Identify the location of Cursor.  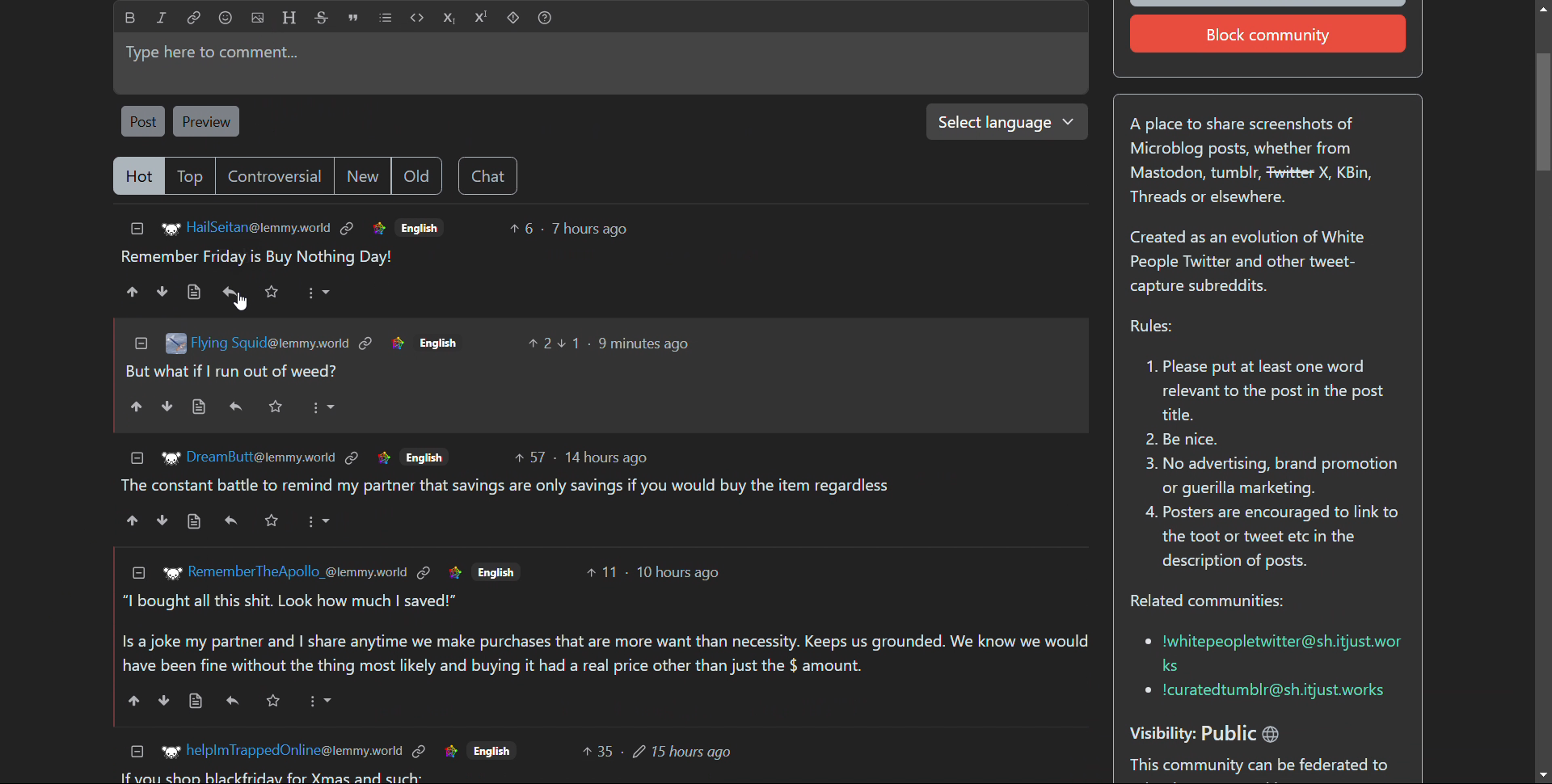
(231, 301).